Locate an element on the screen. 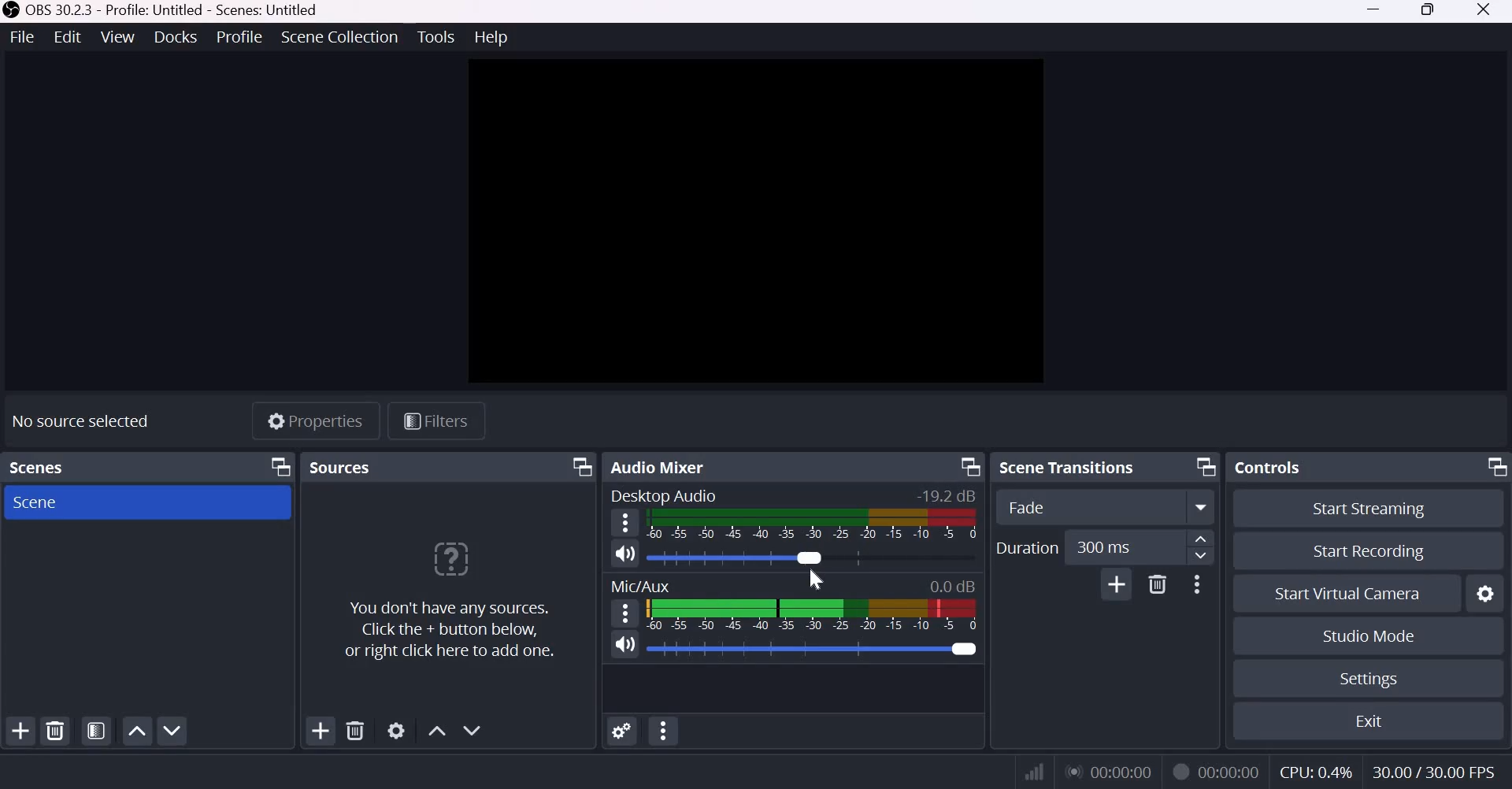  30.00/30.00 FPS is located at coordinates (1434, 772).